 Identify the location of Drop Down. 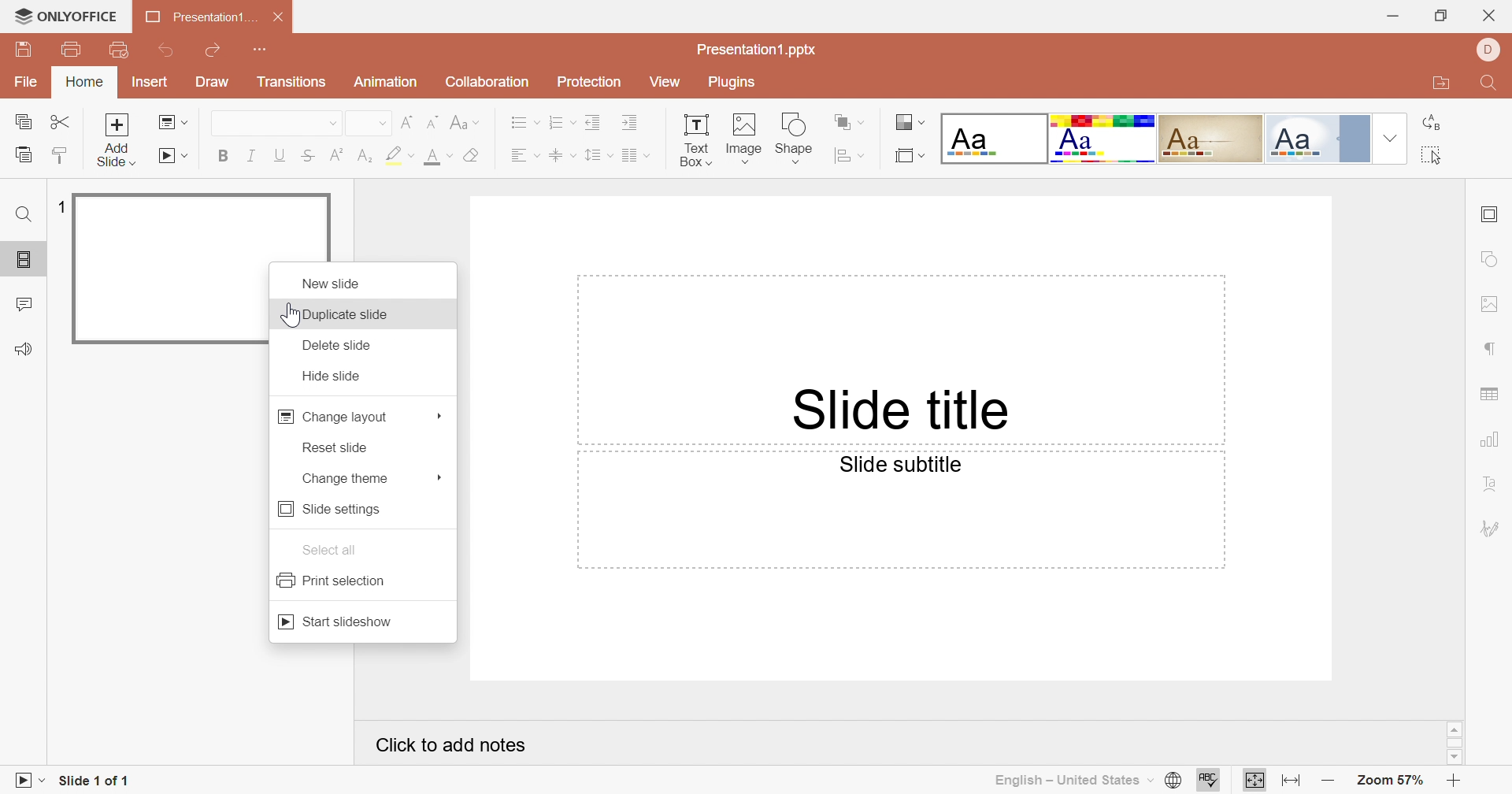
(927, 154).